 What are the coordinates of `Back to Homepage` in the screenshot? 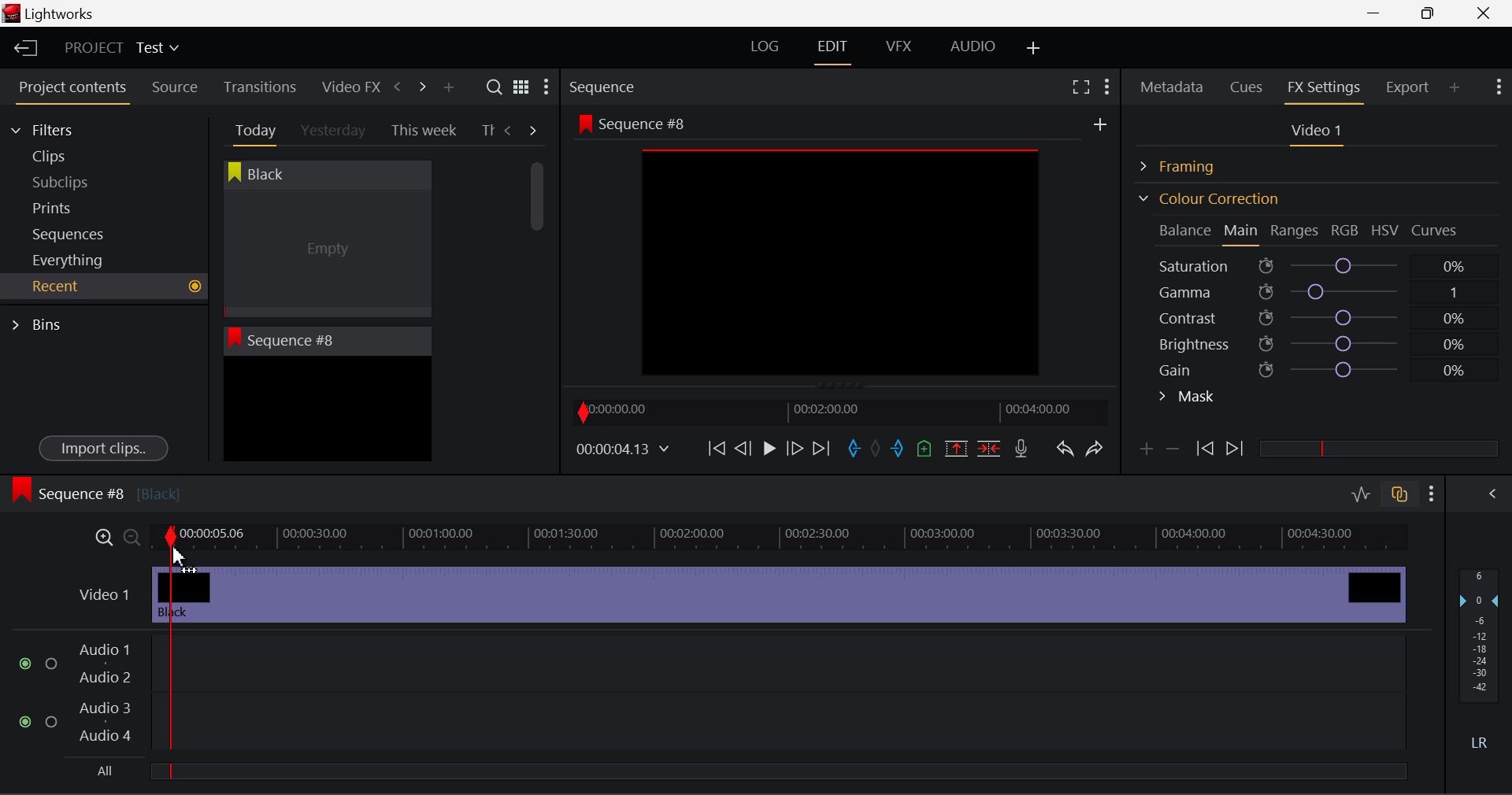 It's located at (20, 49).